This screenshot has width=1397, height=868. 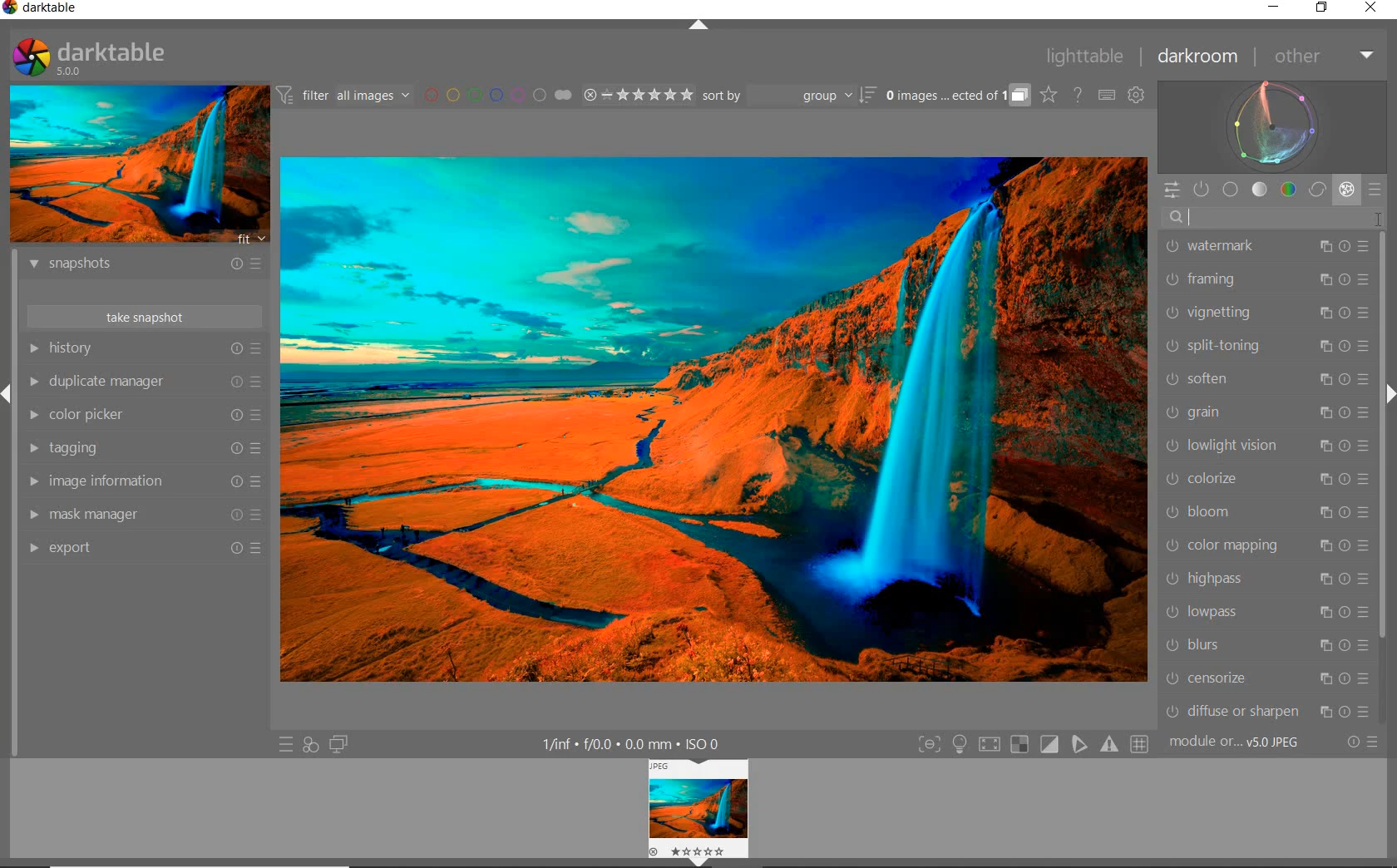 I want to click on waveform, so click(x=1273, y=126).